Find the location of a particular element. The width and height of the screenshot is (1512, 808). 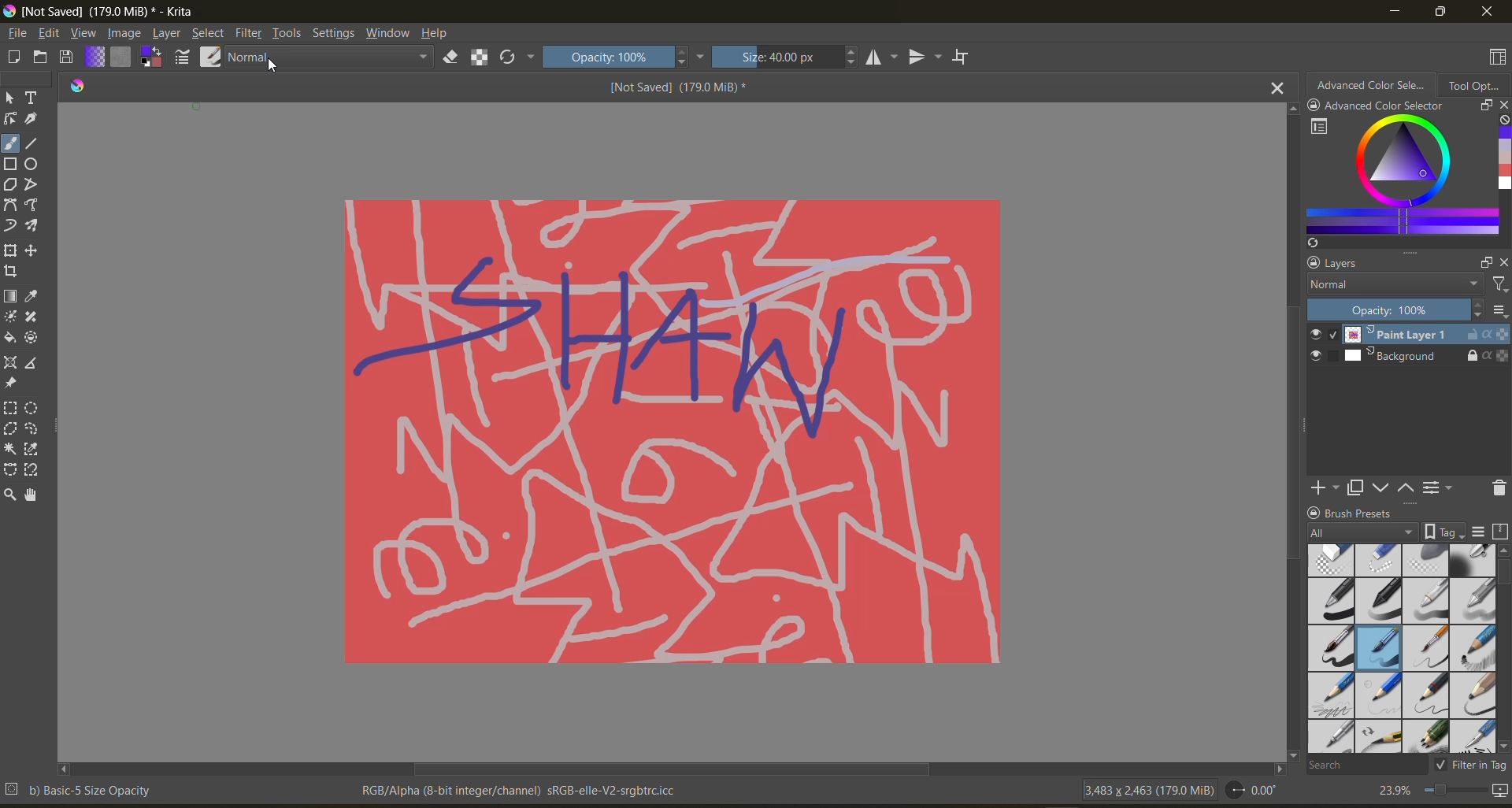

add is located at coordinates (1322, 487).